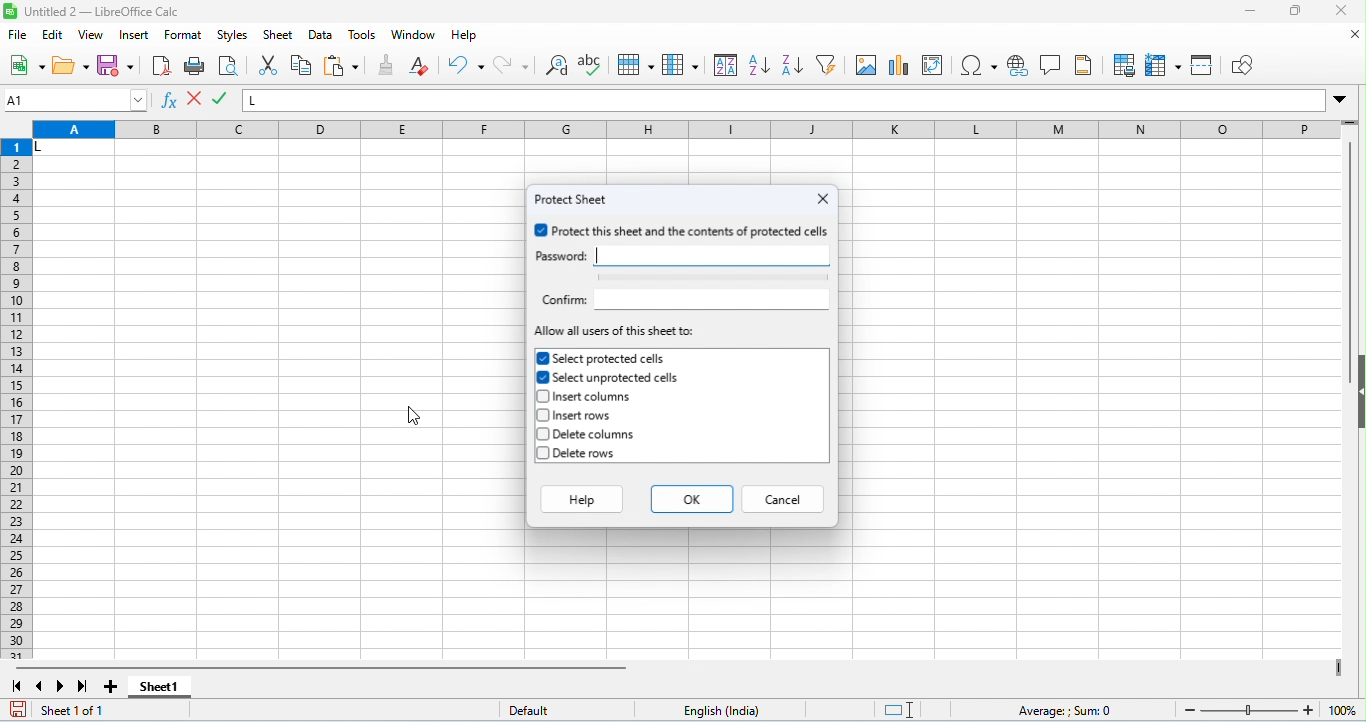 The width and height of the screenshot is (1366, 722). Describe the element at coordinates (602, 358) in the screenshot. I see `select protected cells` at that location.